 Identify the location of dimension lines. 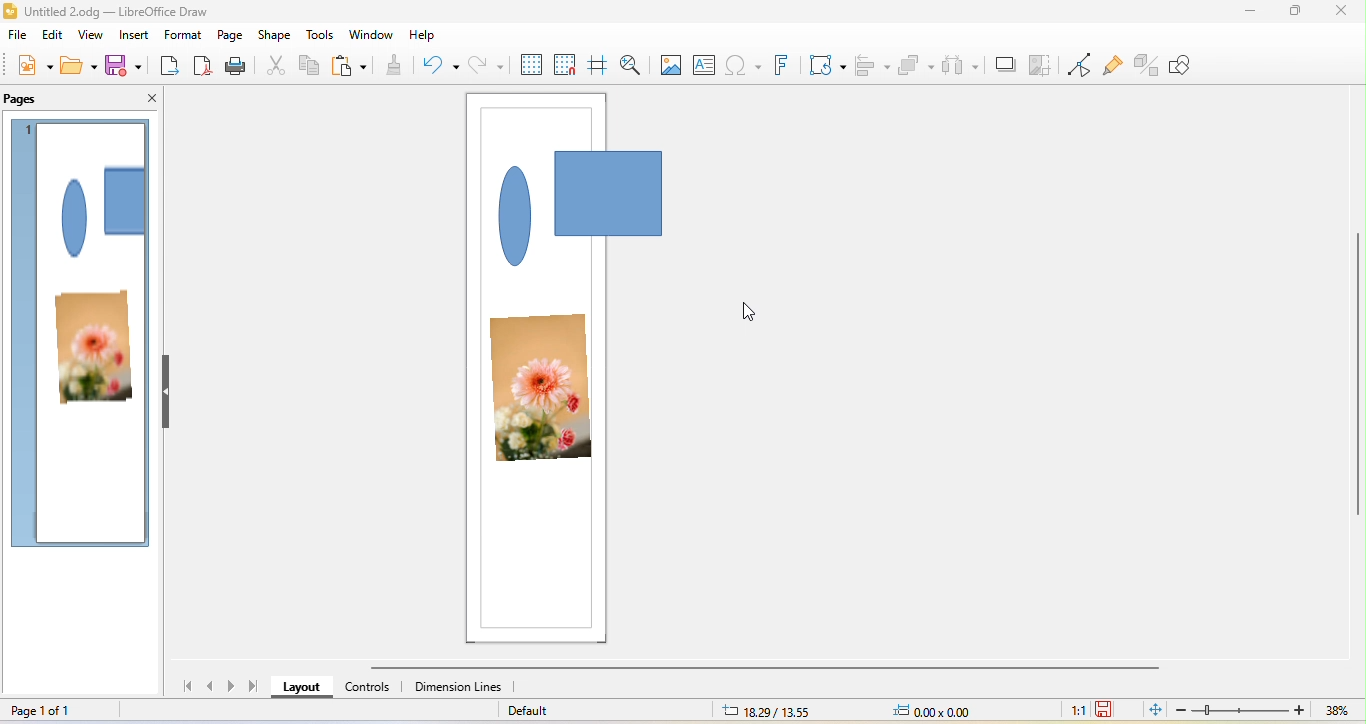
(460, 689).